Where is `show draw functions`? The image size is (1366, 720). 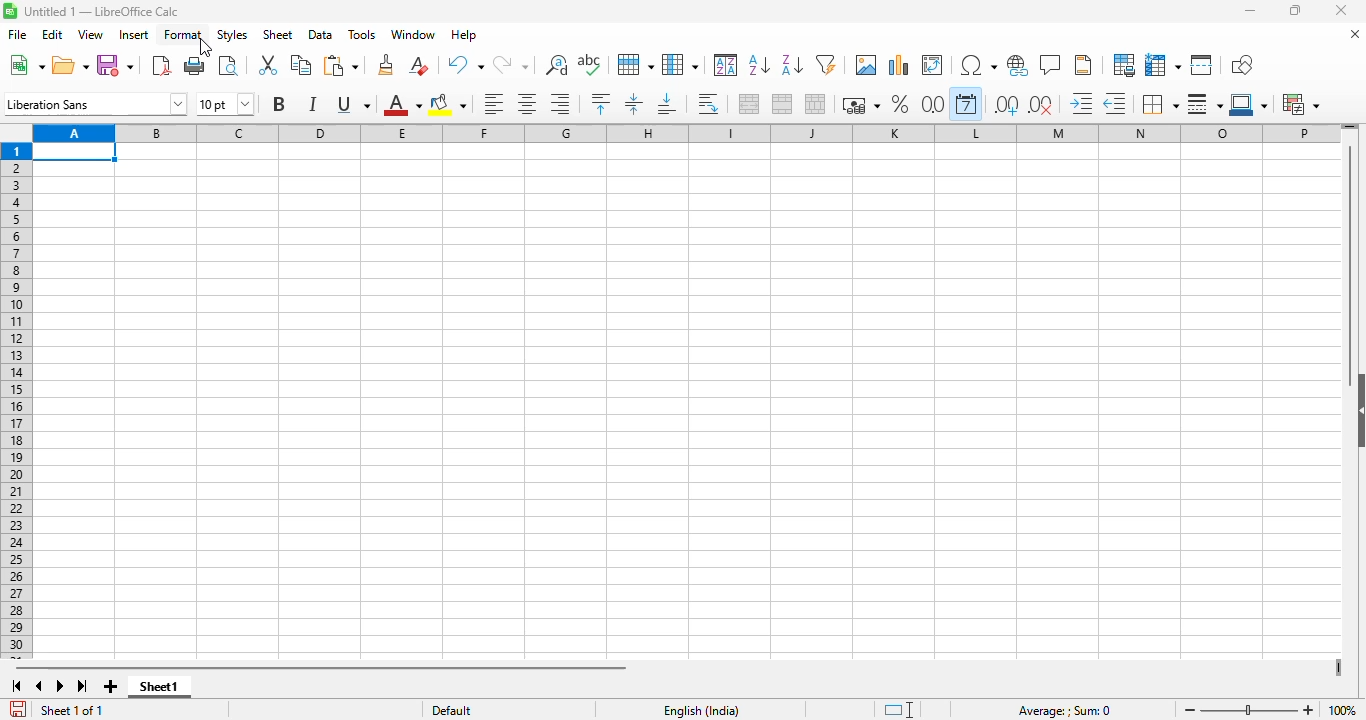 show draw functions is located at coordinates (1241, 66).